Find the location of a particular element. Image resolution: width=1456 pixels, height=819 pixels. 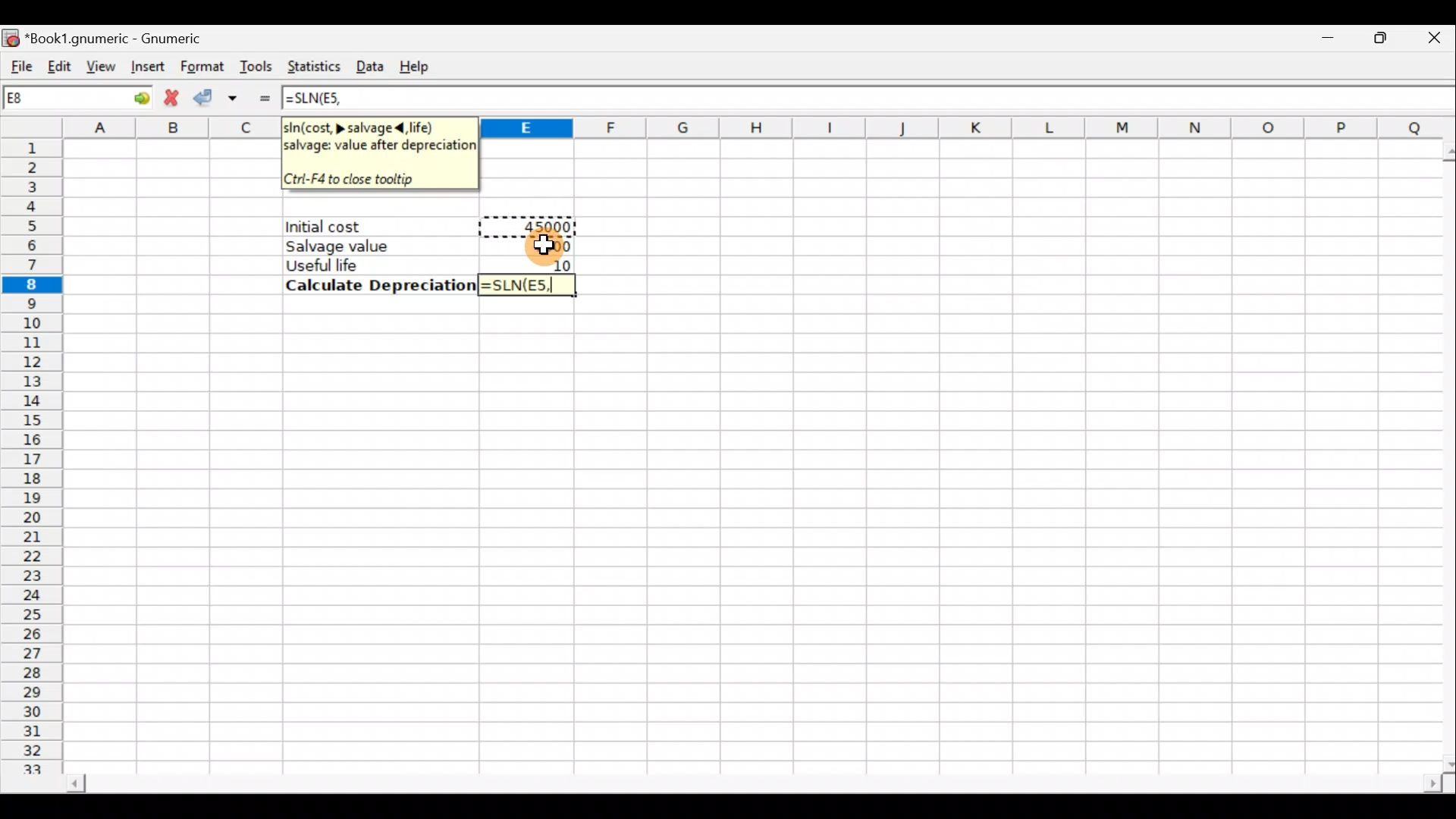

Maximize is located at coordinates (1373, 41).